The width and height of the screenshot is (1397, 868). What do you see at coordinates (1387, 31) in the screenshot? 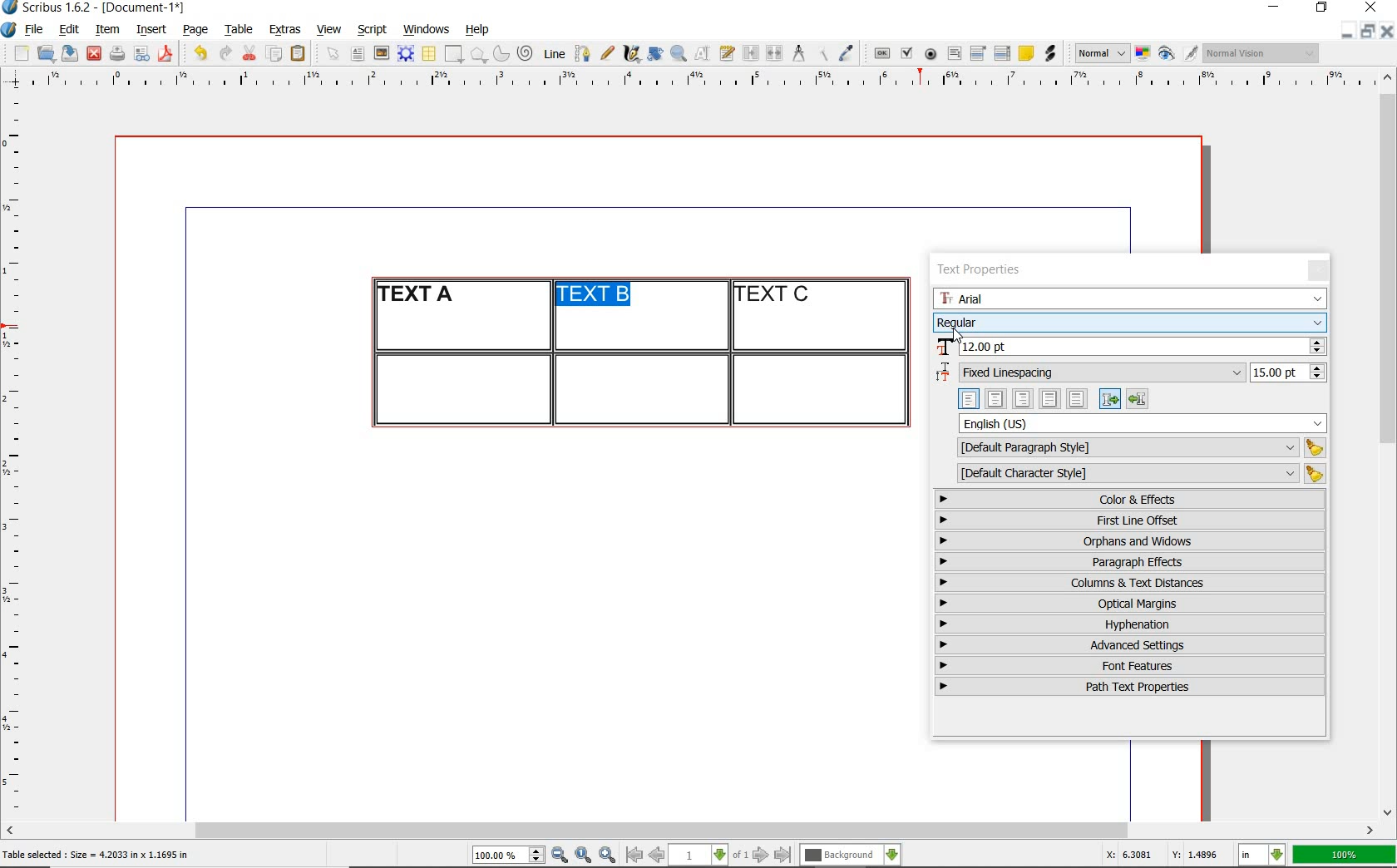
I see `close` at bounding box center [1387, 31].